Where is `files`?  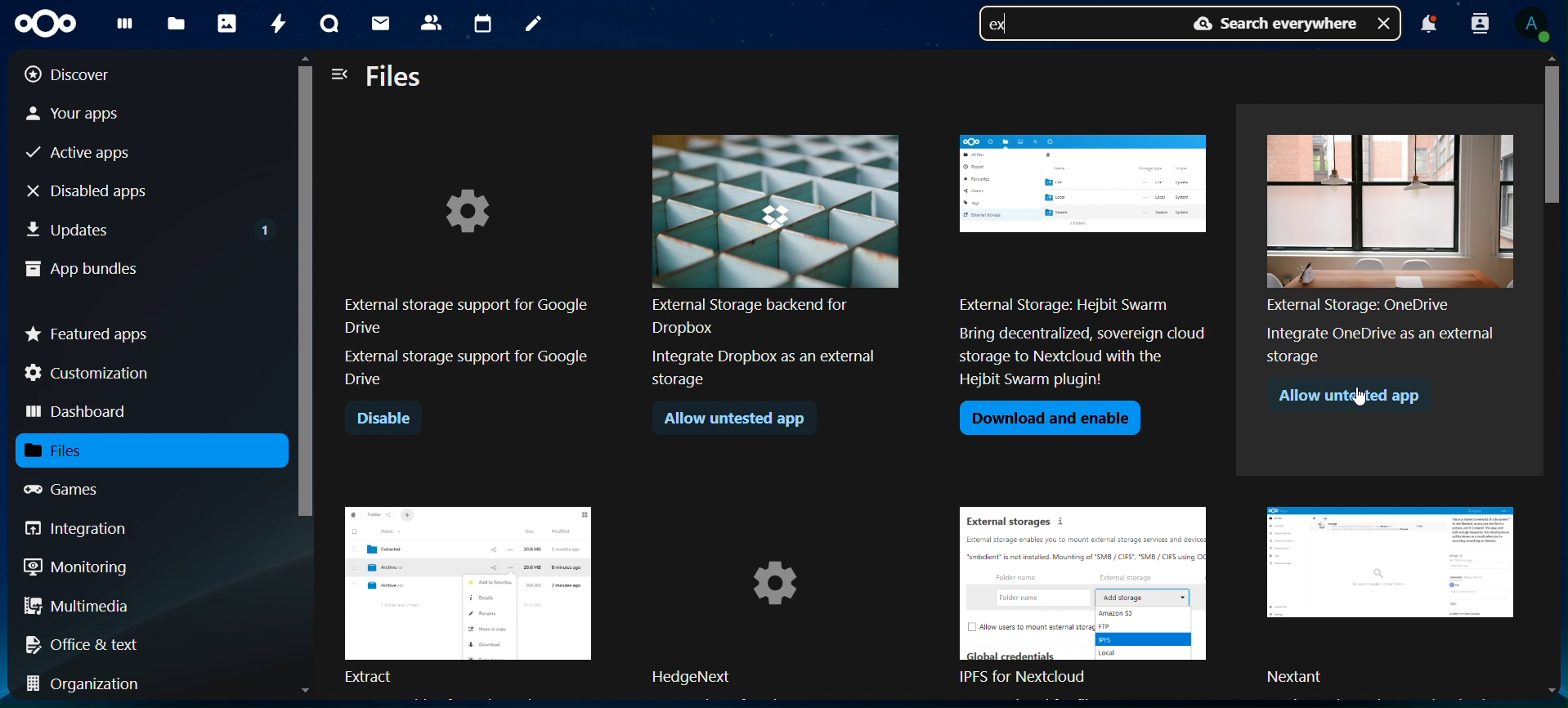
files is located at coordinates (179, 23).